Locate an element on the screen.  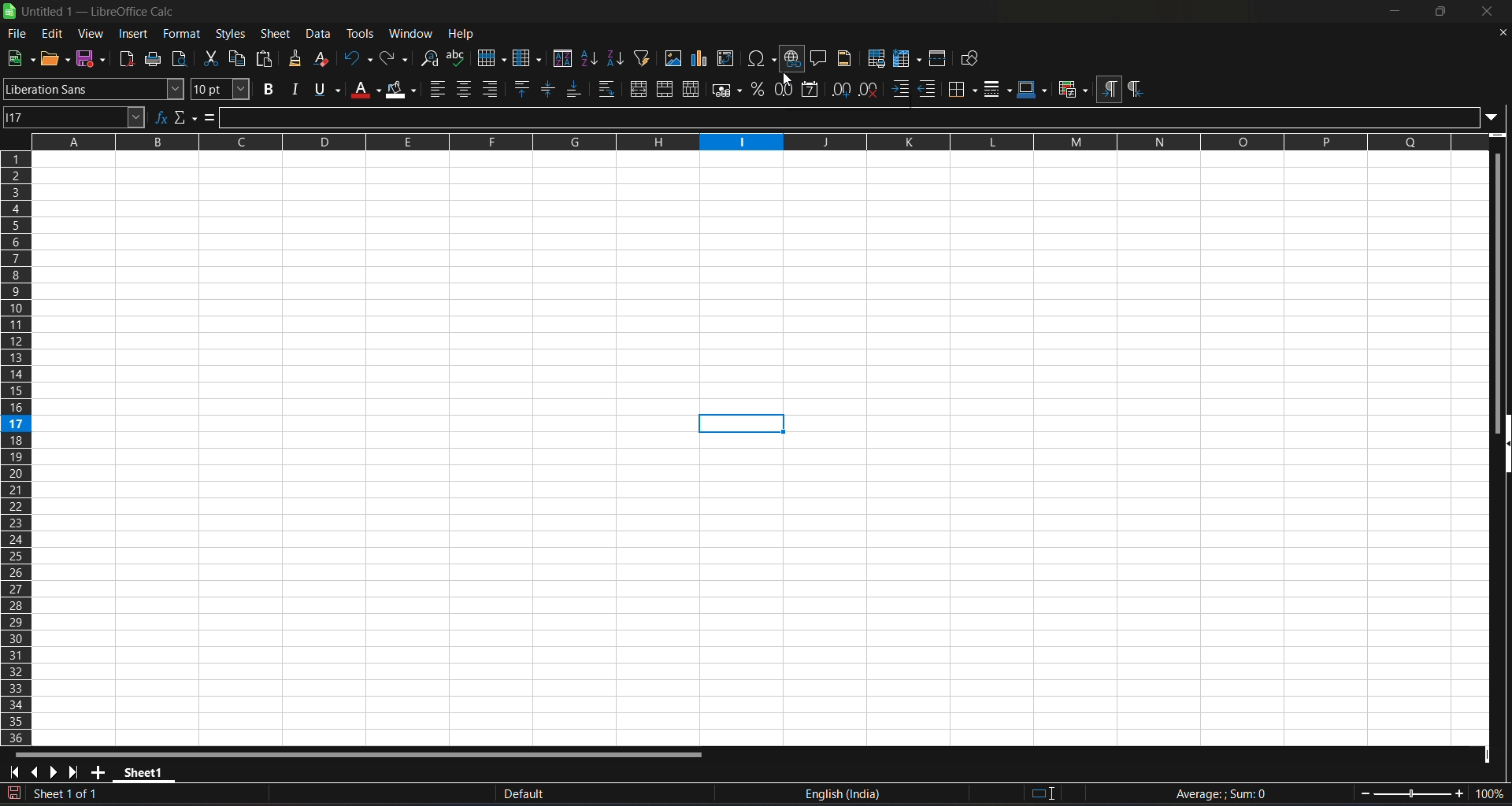
insert hyperlink is located at coordinates (793, 59).